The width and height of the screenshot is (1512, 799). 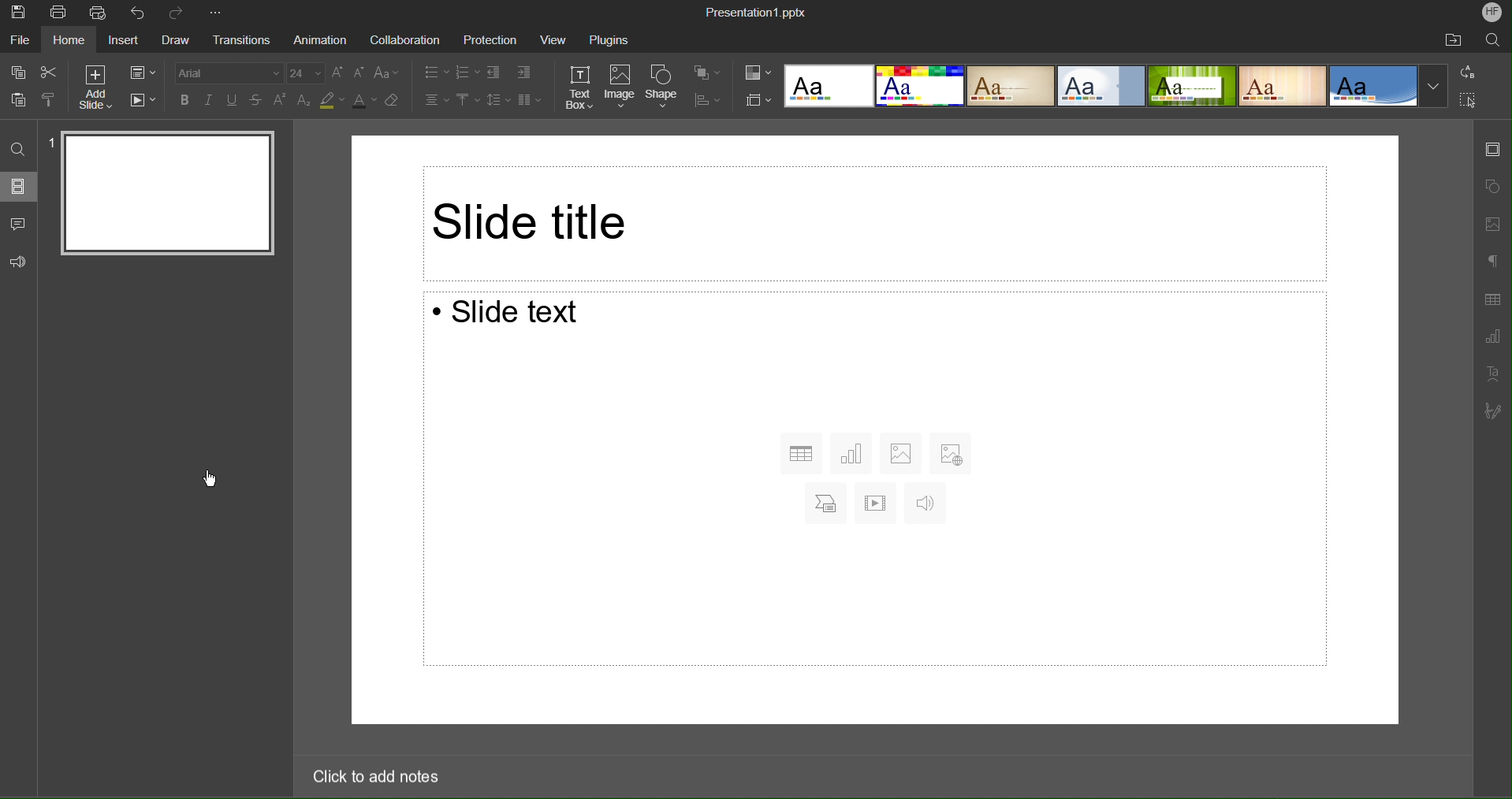 I want to click on scroll down, so click(x=1462, y=732).